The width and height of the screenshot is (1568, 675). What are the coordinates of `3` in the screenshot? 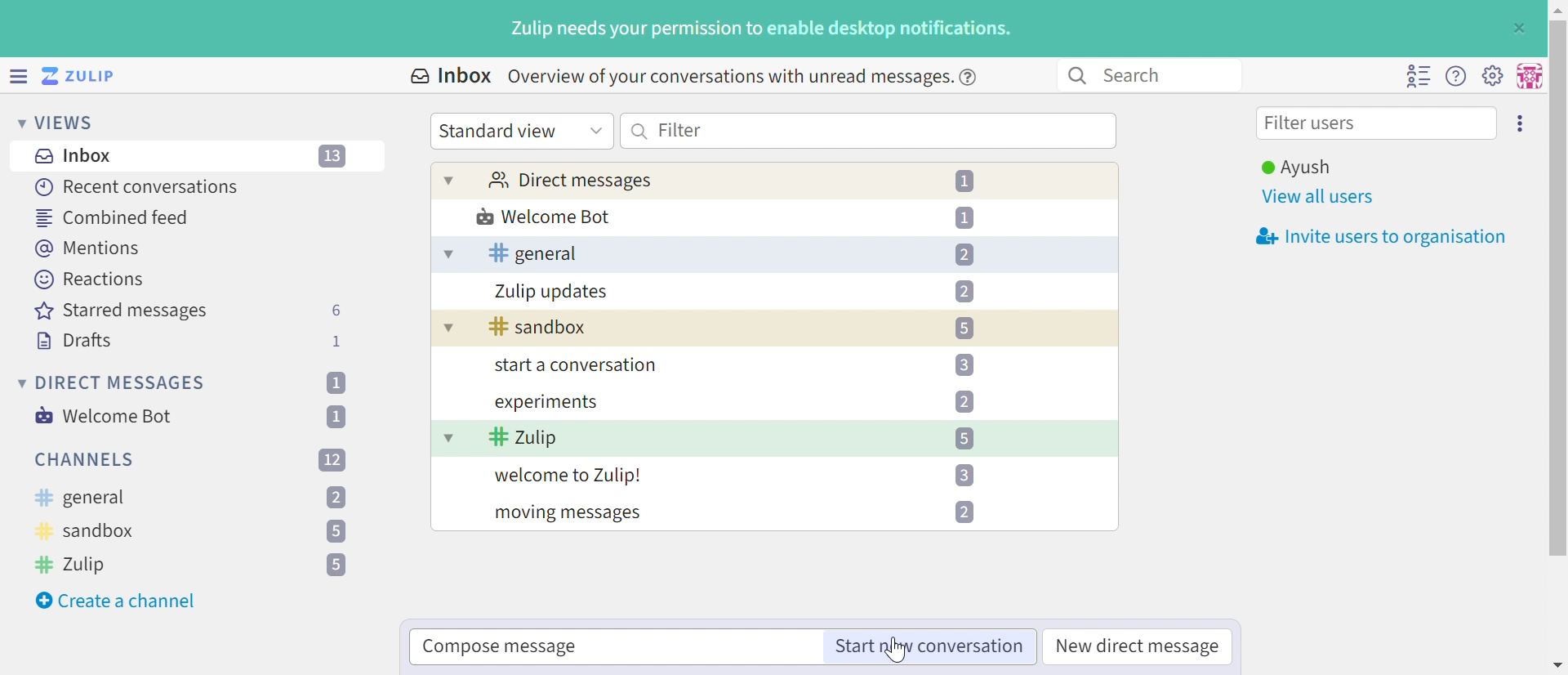 It's located at (964, 364).